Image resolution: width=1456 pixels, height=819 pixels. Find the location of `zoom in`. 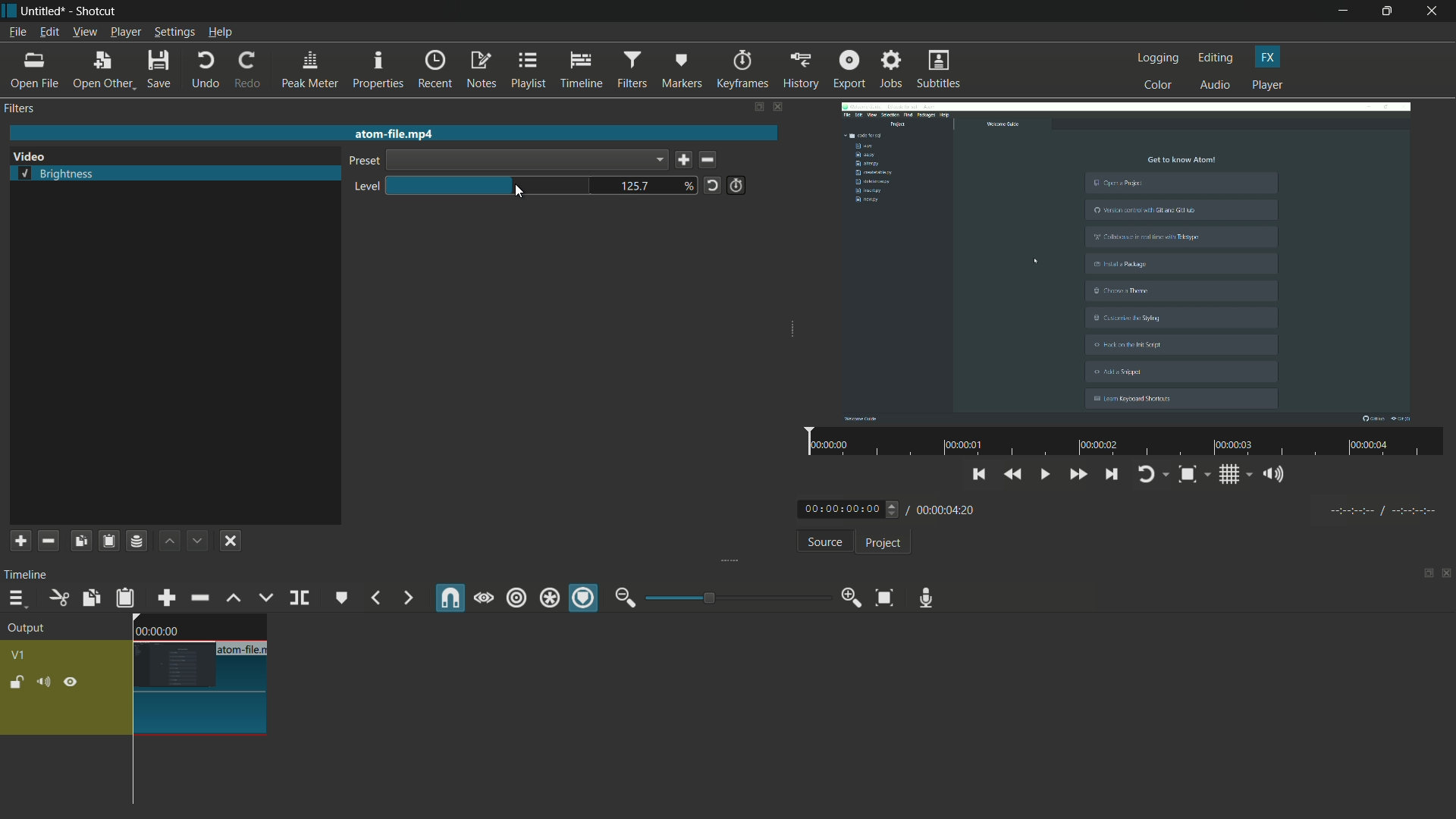

zoom in is located at coordinates (848, 598).